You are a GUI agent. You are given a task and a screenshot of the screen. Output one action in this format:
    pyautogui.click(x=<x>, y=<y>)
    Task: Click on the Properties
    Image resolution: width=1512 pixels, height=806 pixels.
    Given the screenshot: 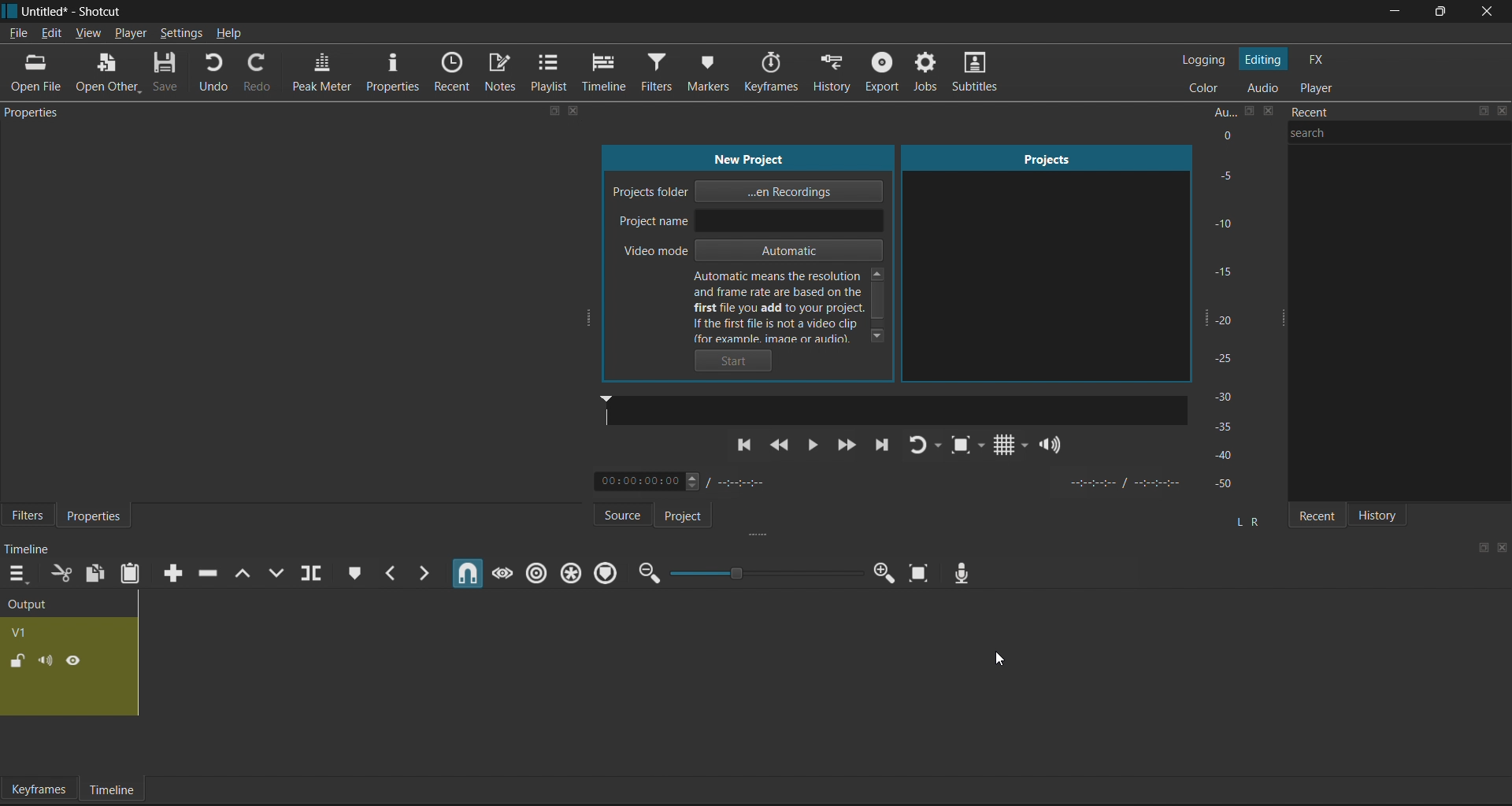 What is the action you would take?
    pyautogui.click(x=98, y=516)
    